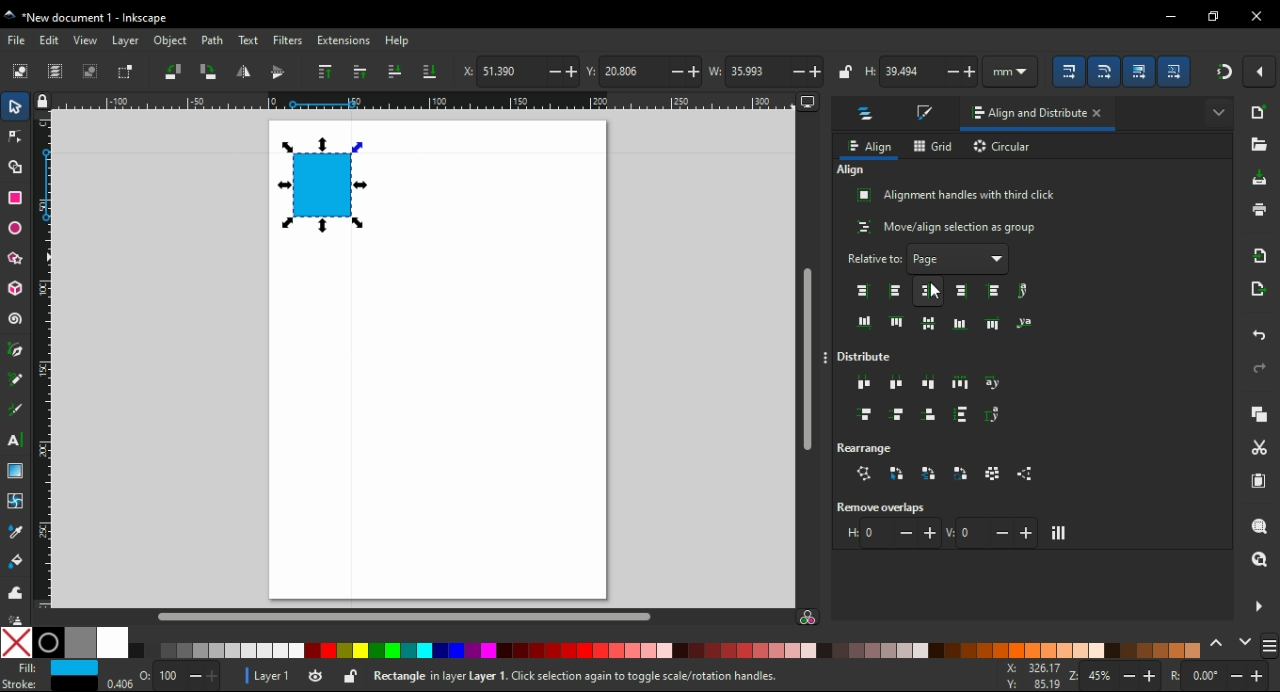 The image size is (1280, 692). I want to click on import, so click(1263, 255).